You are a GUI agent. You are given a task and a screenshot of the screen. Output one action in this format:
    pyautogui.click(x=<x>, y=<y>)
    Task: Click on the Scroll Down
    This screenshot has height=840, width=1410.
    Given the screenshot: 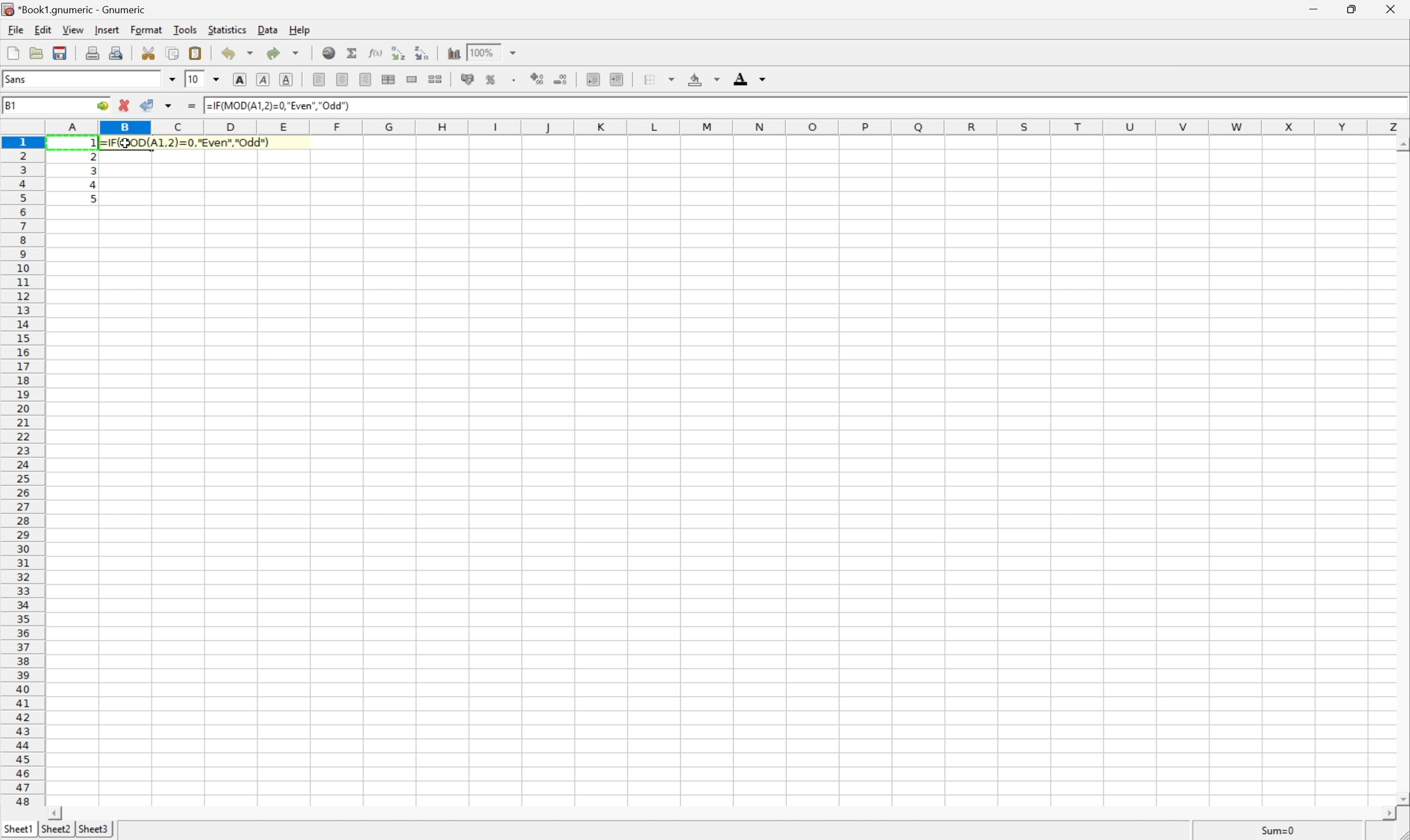 What is the action you would take?
    pyautogui.click(x=1400, y=796)
    